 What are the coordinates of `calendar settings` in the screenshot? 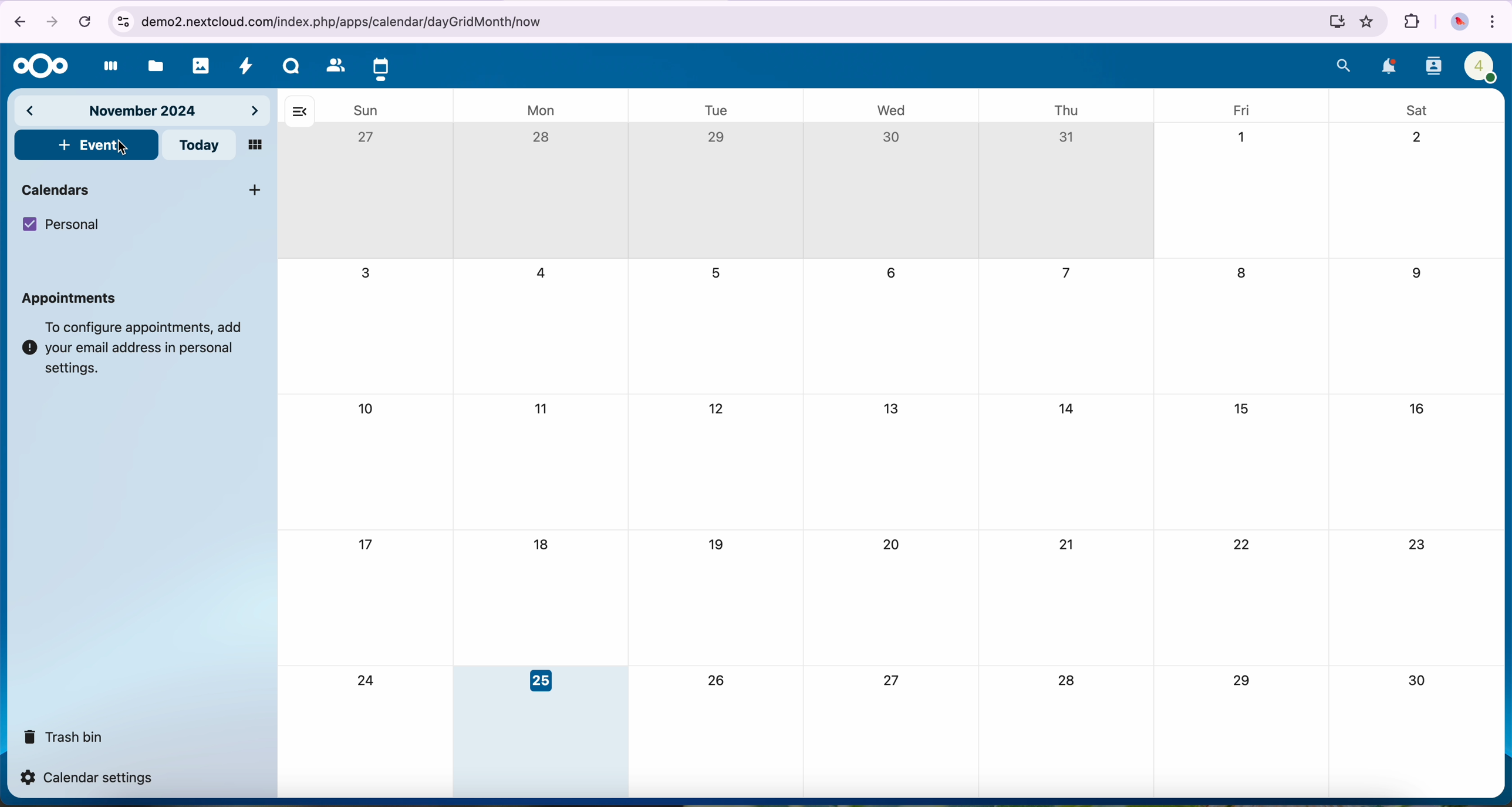 It's located at (90, 778).